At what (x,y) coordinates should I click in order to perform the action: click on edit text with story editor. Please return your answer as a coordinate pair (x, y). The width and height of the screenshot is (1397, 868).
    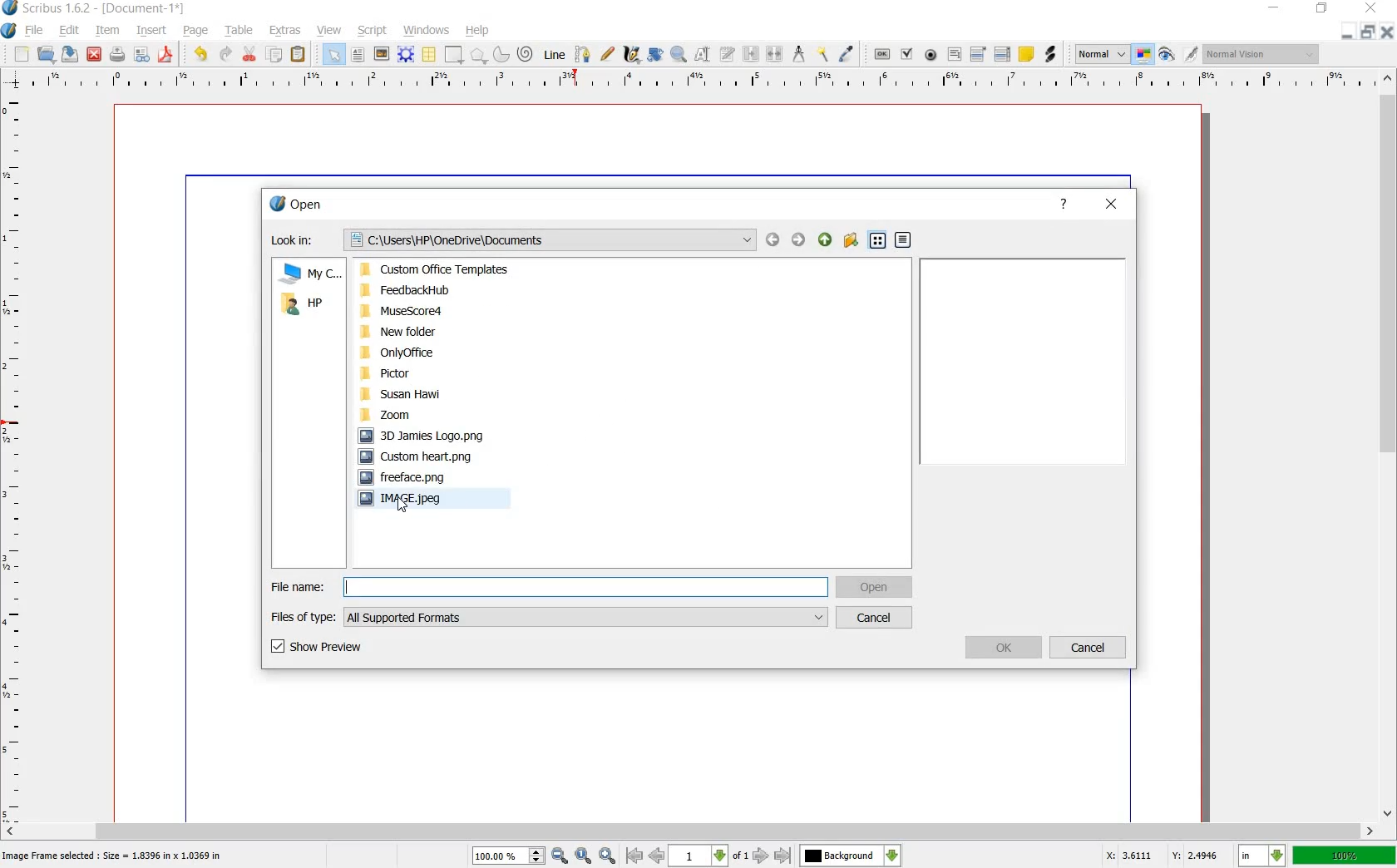
    Looking at the image, I should click on (728, 54).